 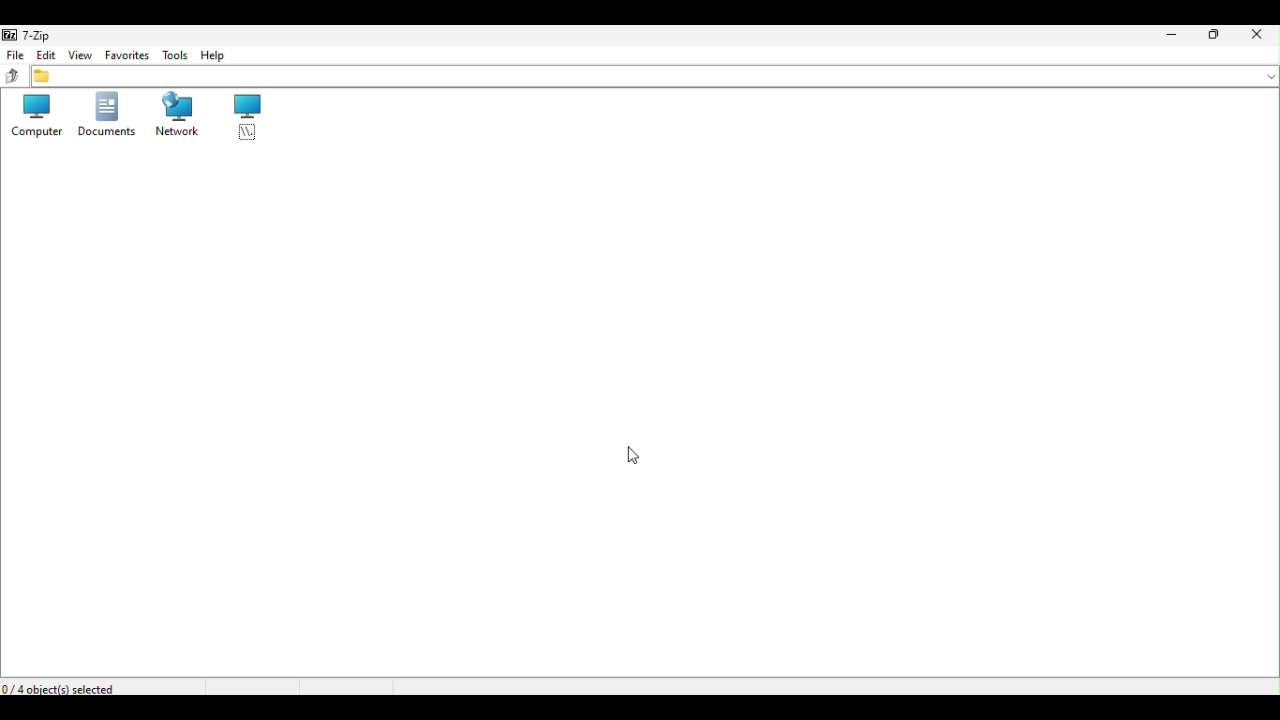 I want to click on Documents, so click(x=103, y=115).